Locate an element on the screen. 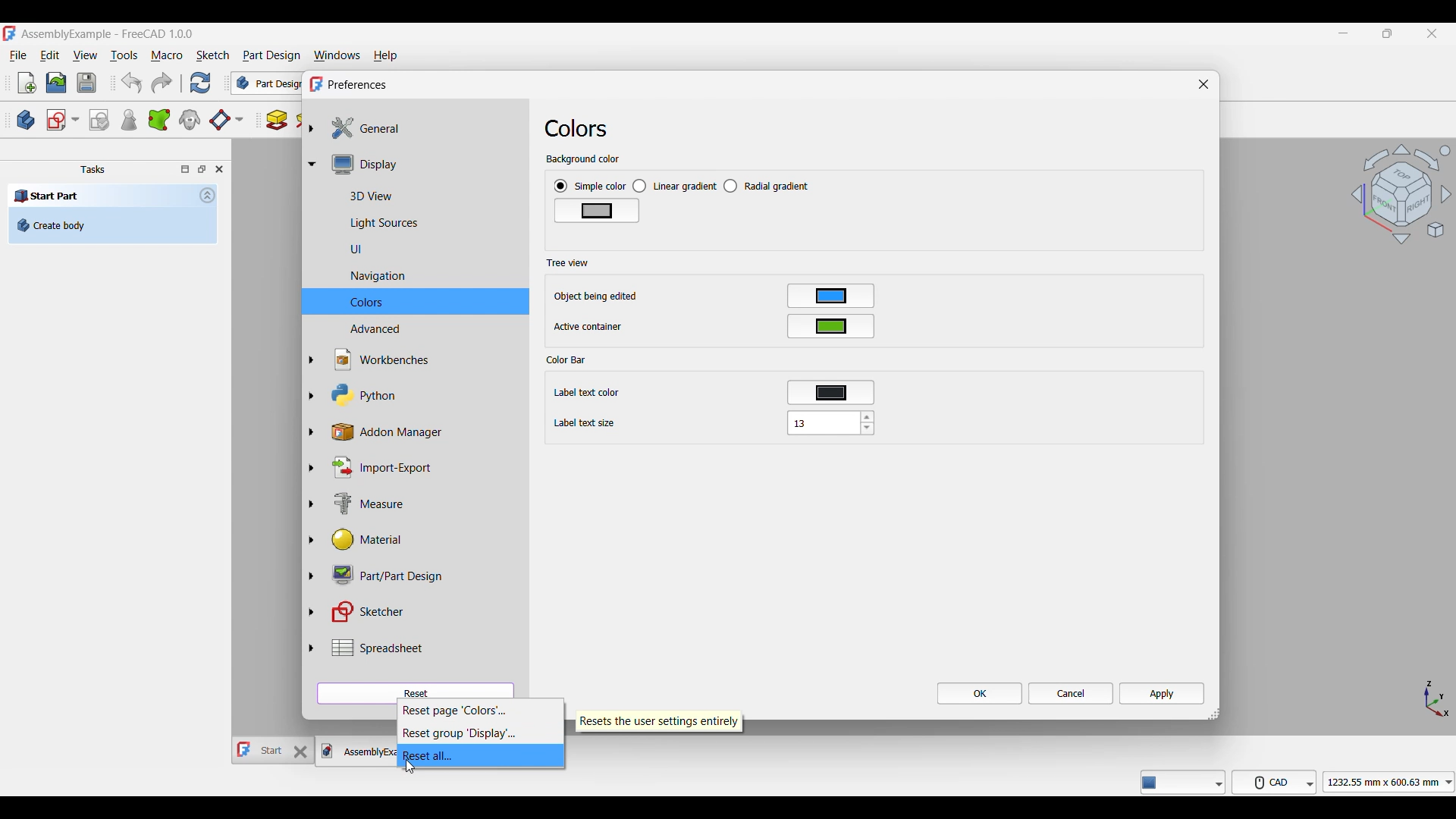 The image size is (1456, 819). Start - name of other tab is located at coordinates (261, 750).